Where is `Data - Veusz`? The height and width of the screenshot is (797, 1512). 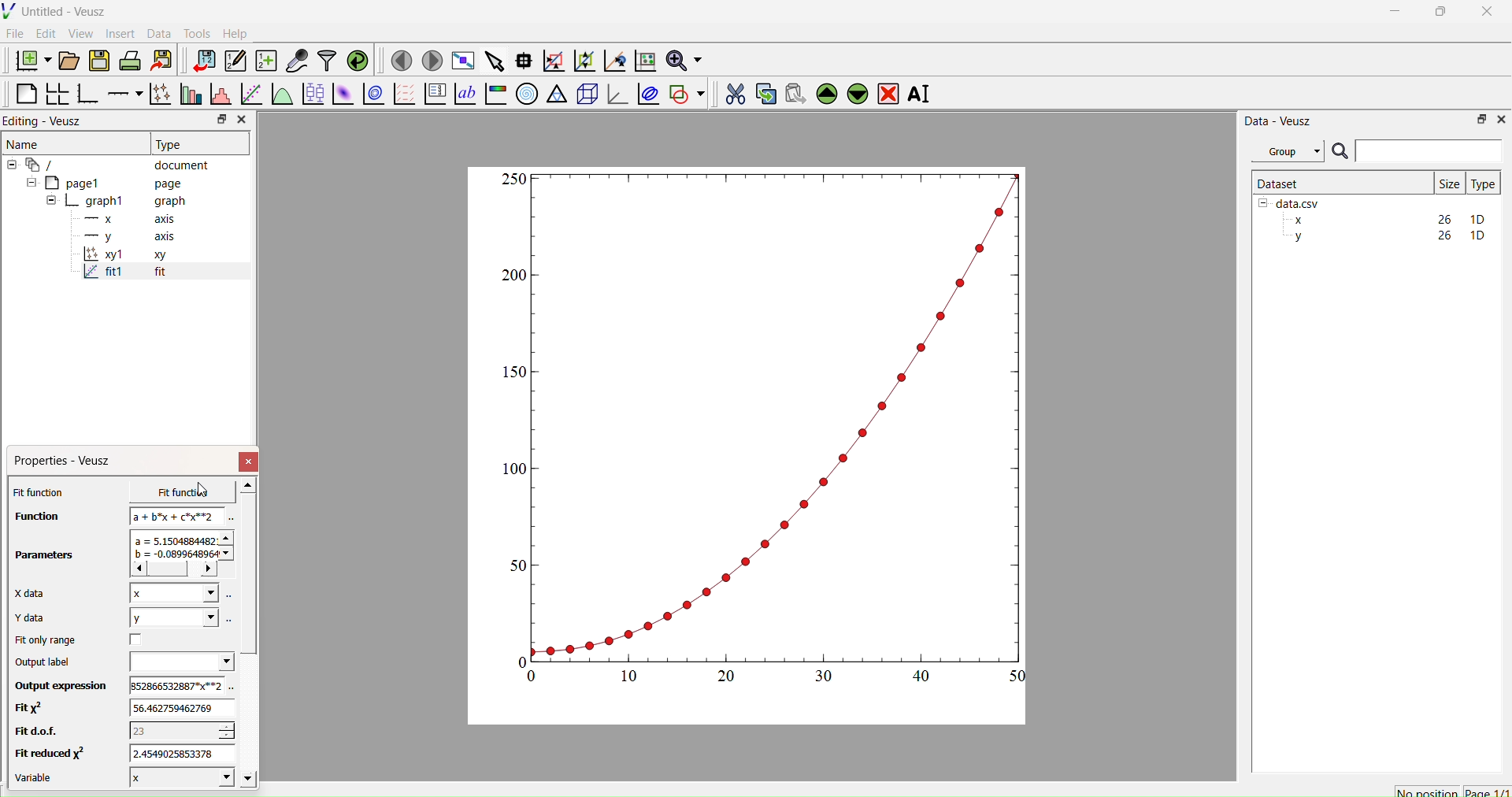
Data - Veusz is located at coordinates (1278, 120).